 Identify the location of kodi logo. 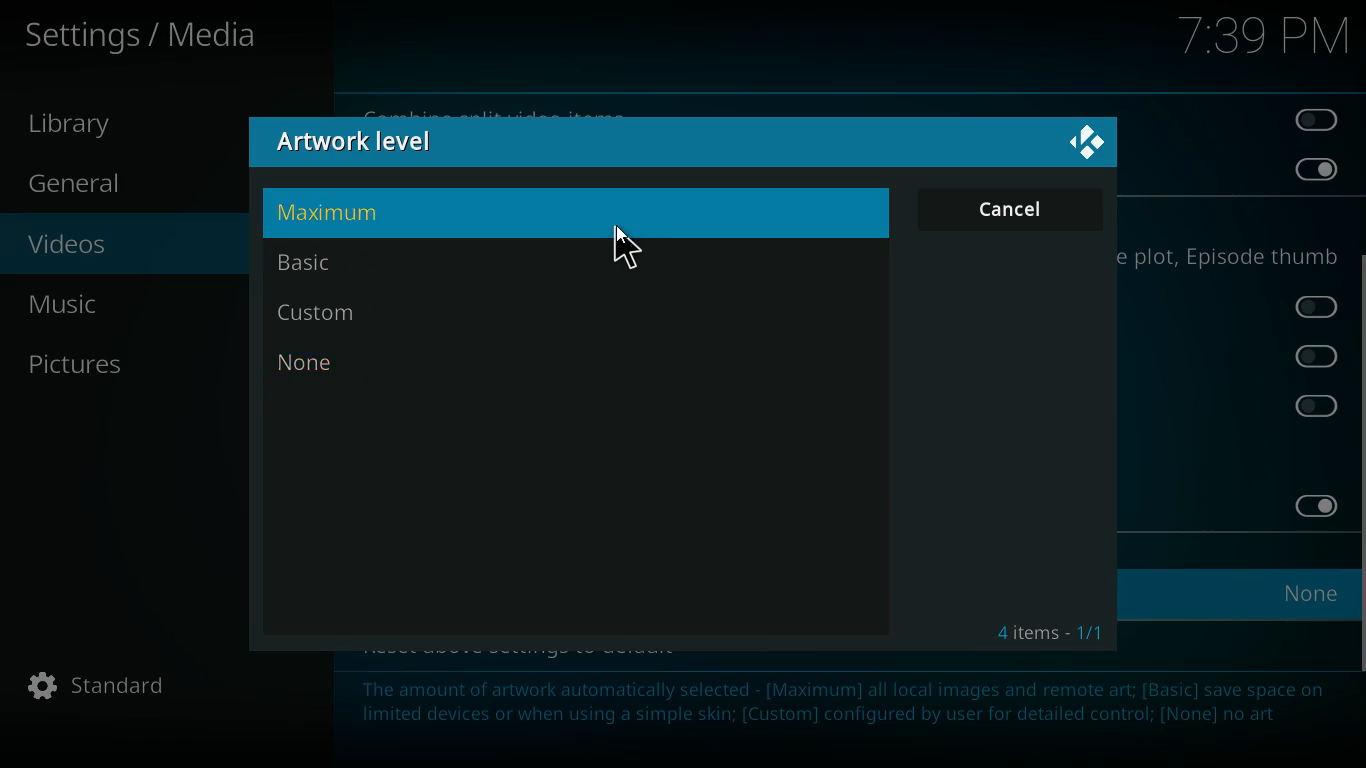
(1088, 143).